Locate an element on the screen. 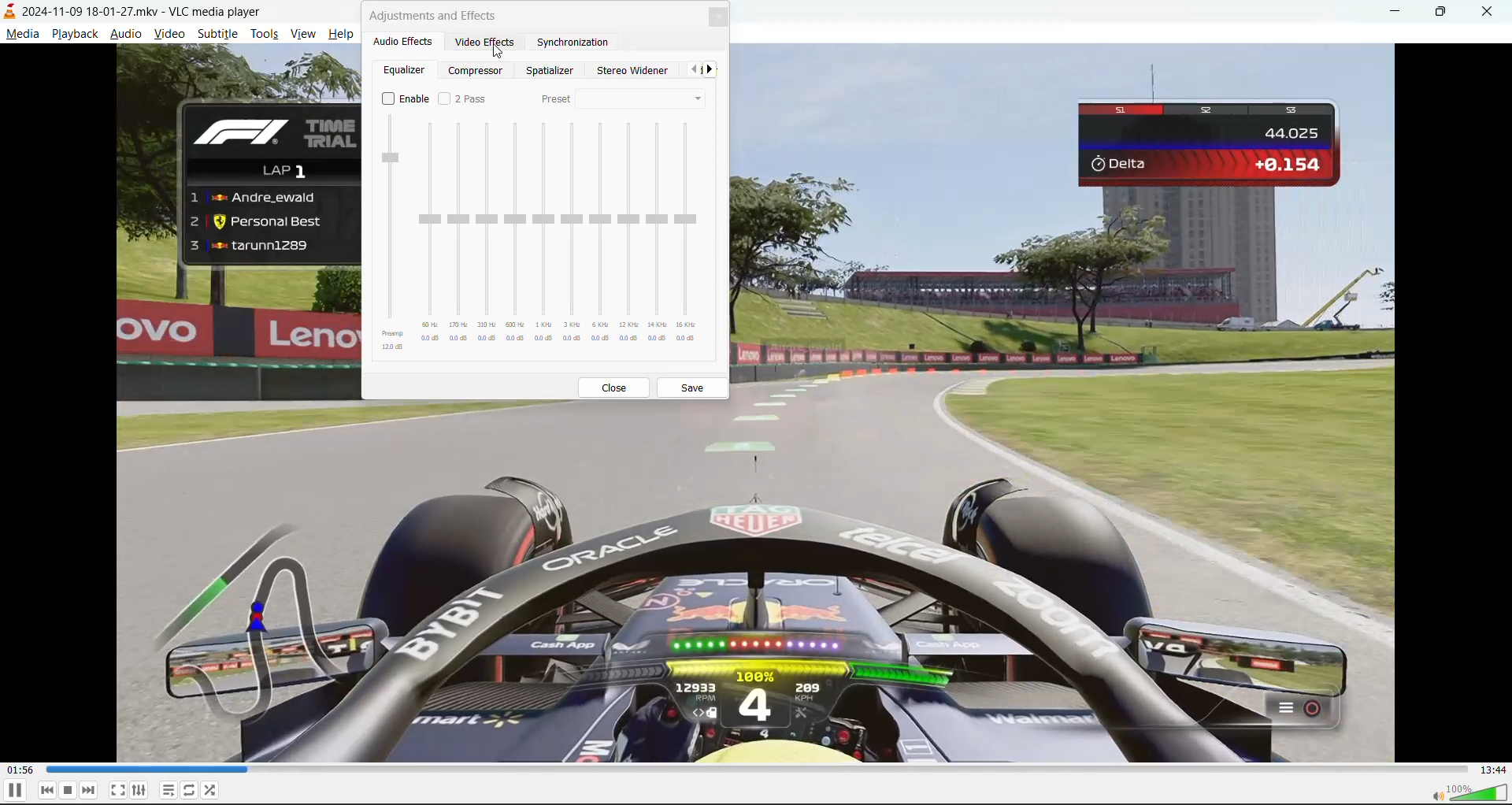  view is located at coordinates (302, 34).